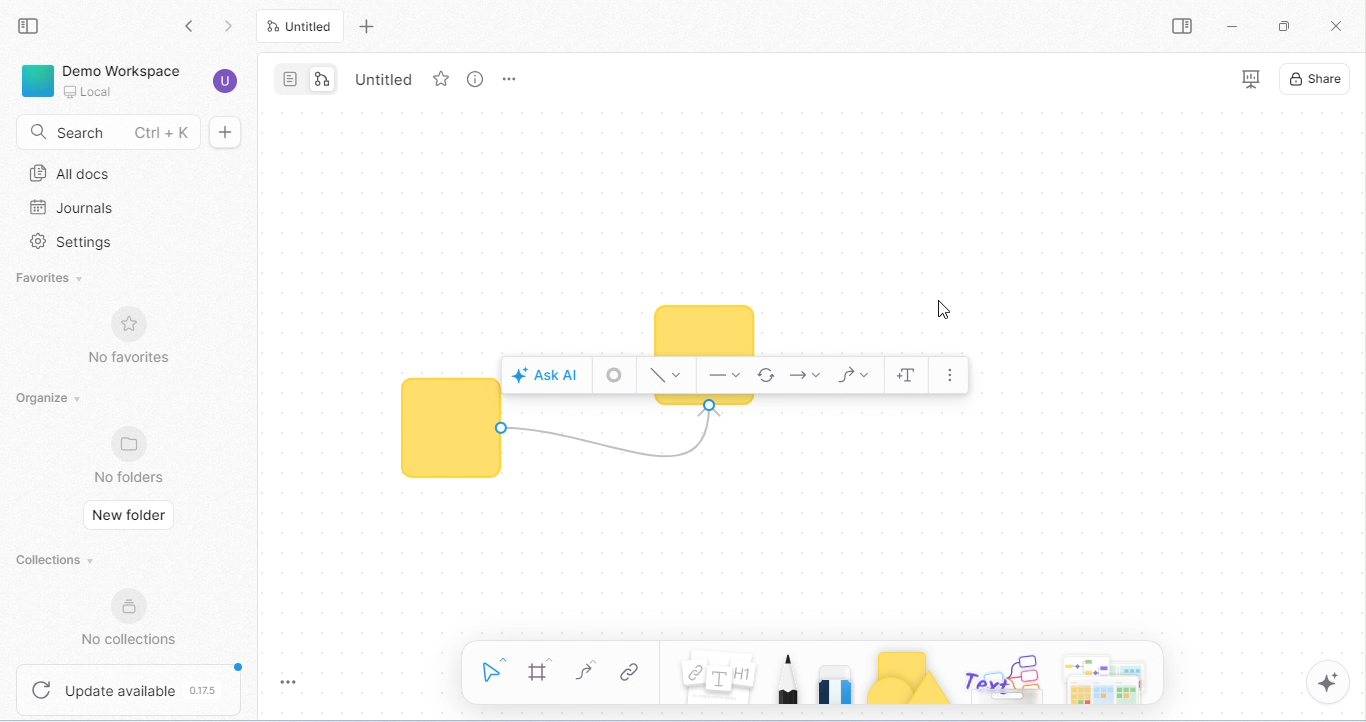  Describe the element at coordinates (709, 323) in the screenshot. I see `connector moved to another shape ` at that location.